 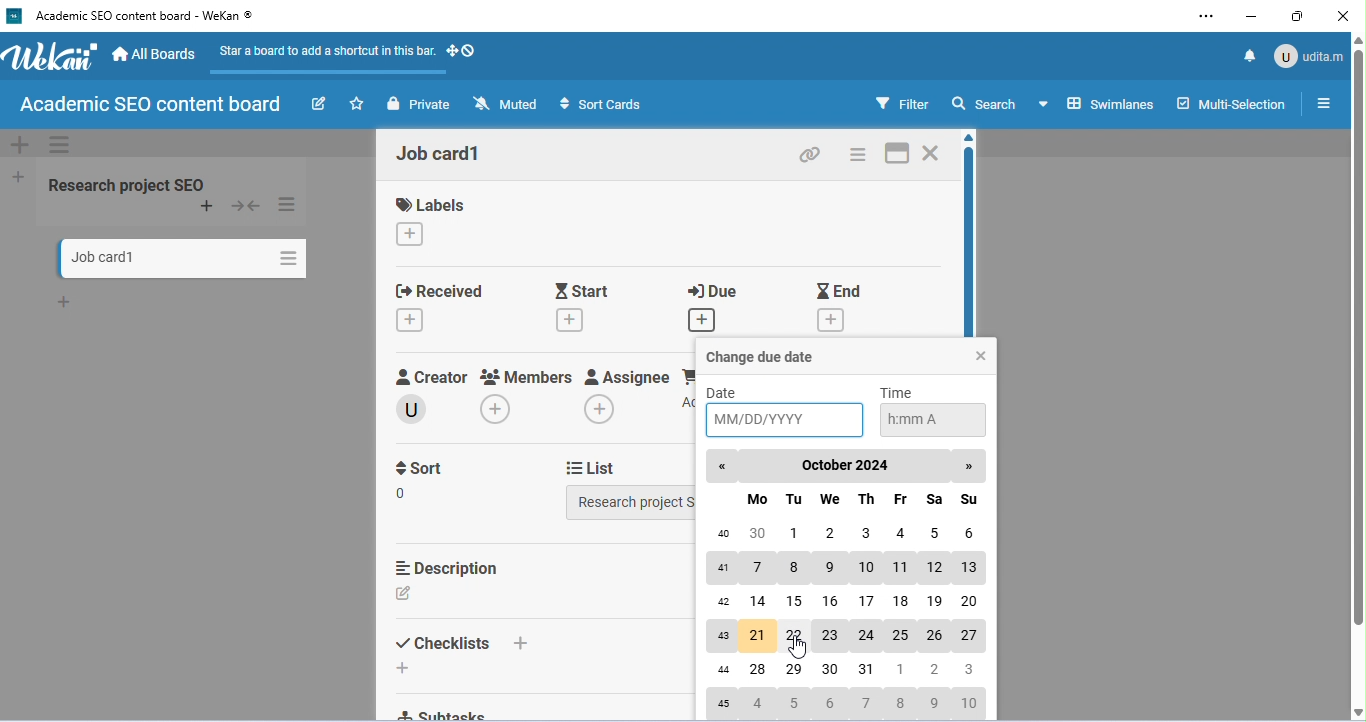 What do you see at coordinates (1342, 17) in the screenshot?
I see `close` at bounding box center [1342, 17].